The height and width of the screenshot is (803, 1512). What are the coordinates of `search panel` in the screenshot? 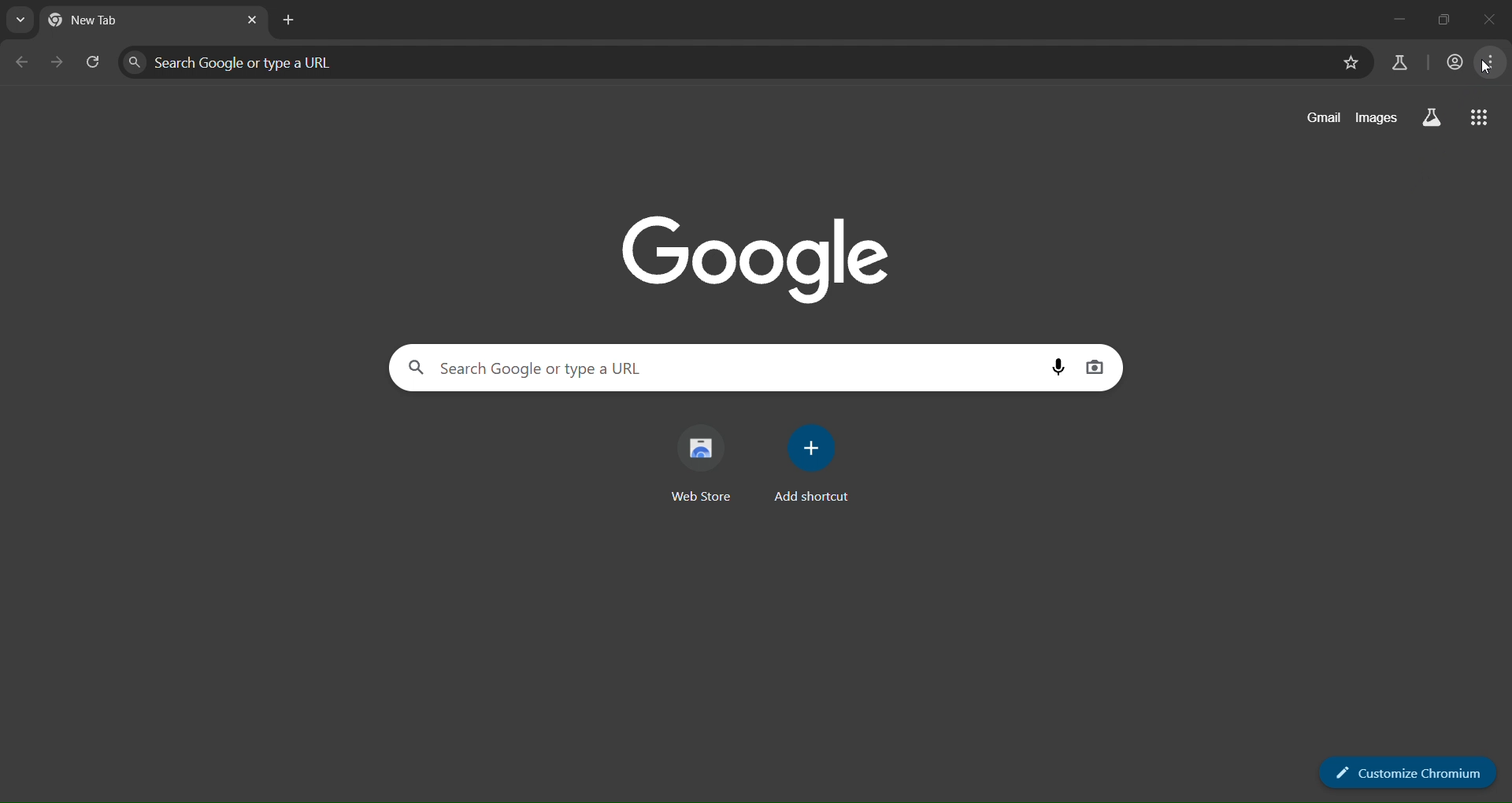 It's located at (544, 367).